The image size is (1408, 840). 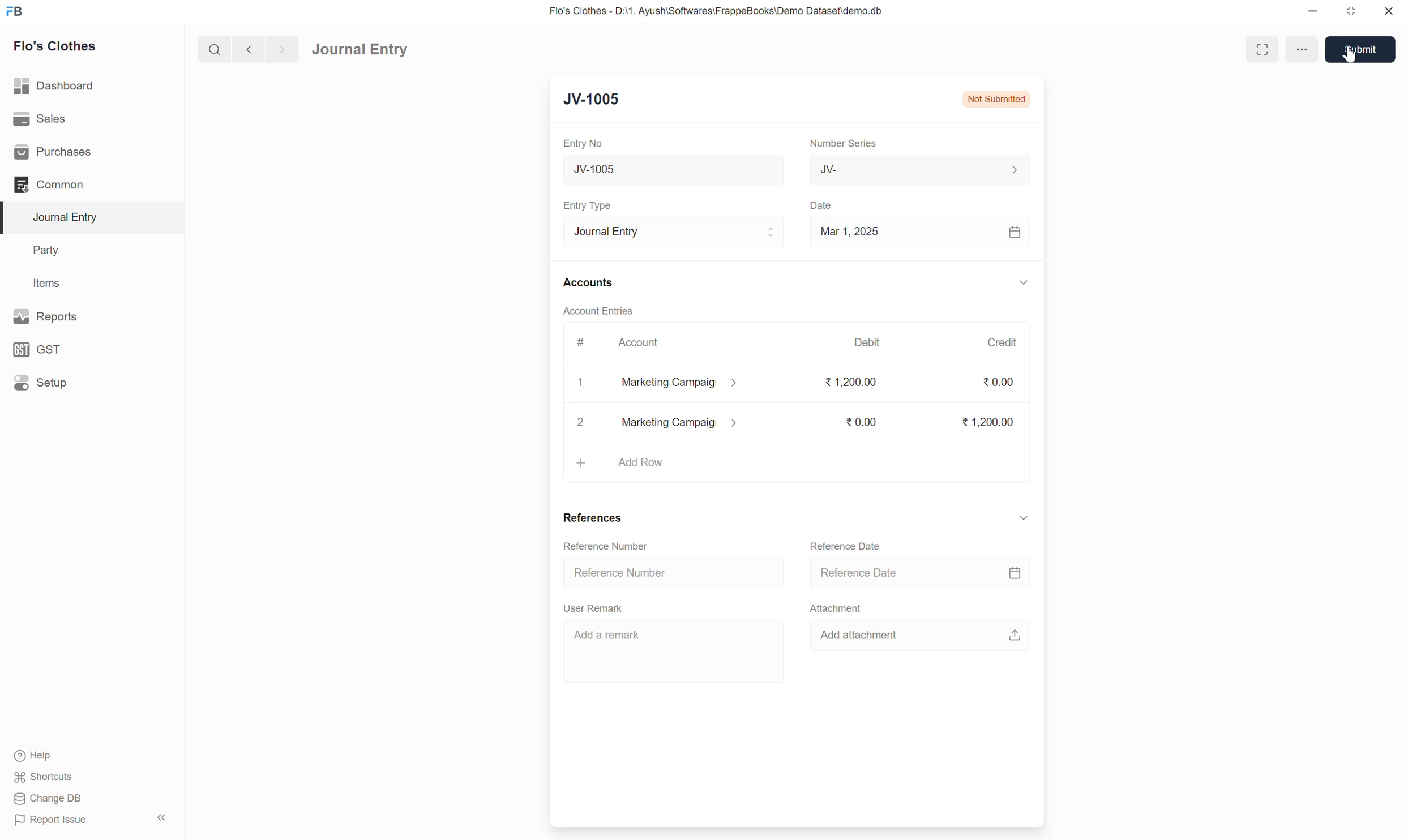 I want to click on cursor, so click(x=1350, y=57).